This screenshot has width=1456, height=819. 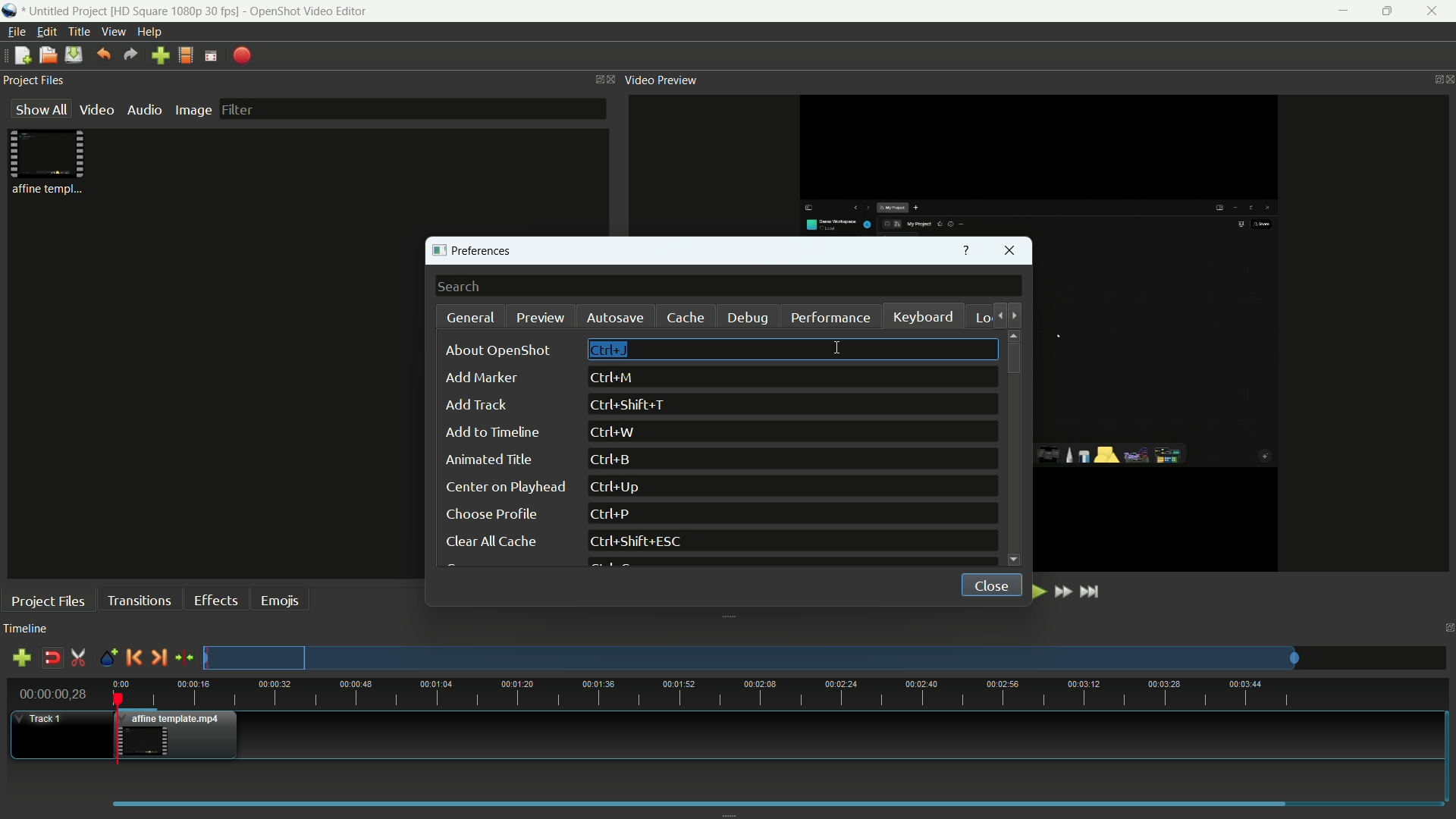 I want to click on close window, so click(x=1011, y=253).